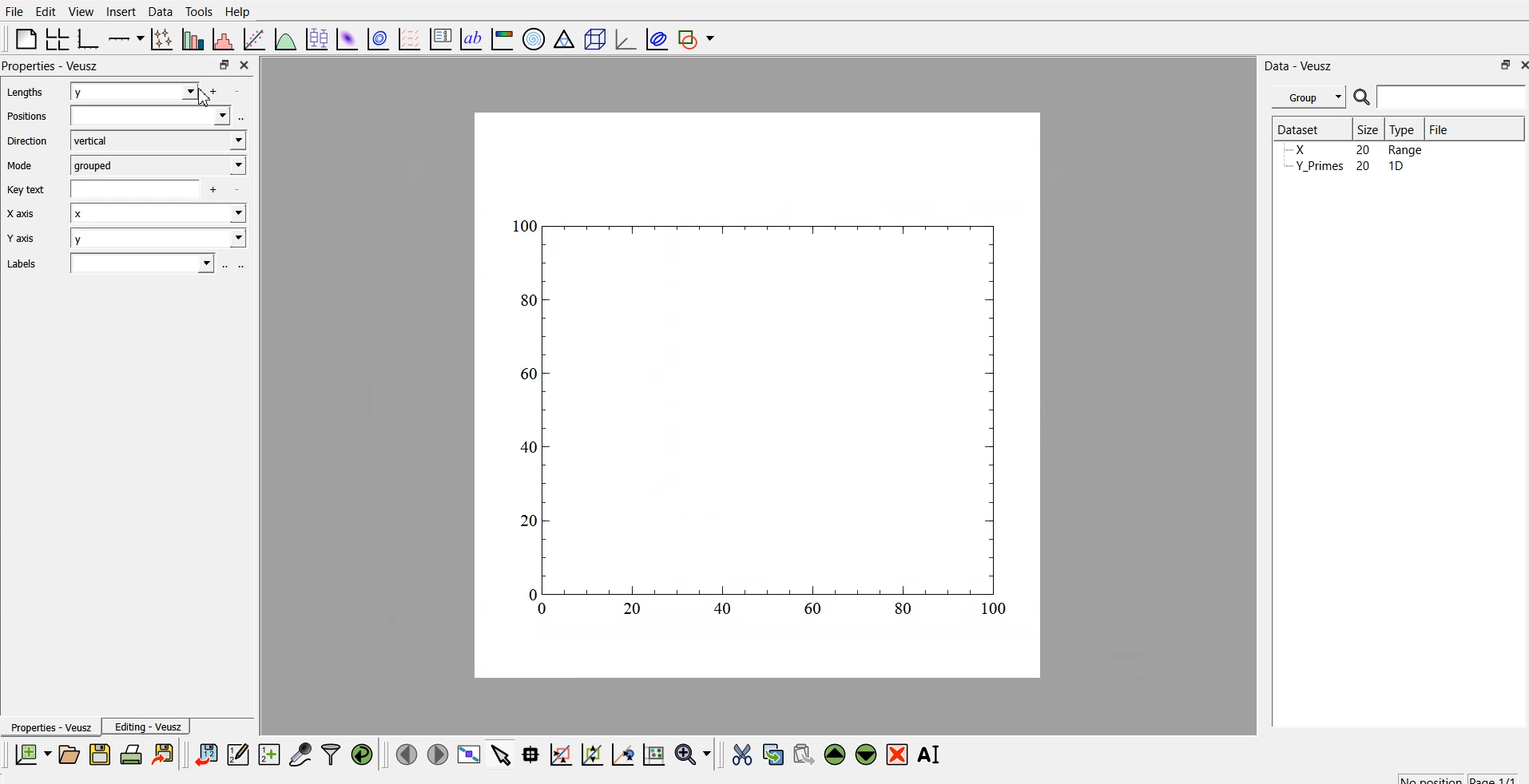  Describe the element at coordinates (100, 755) in the screenshot. I see `save a document` at that location.